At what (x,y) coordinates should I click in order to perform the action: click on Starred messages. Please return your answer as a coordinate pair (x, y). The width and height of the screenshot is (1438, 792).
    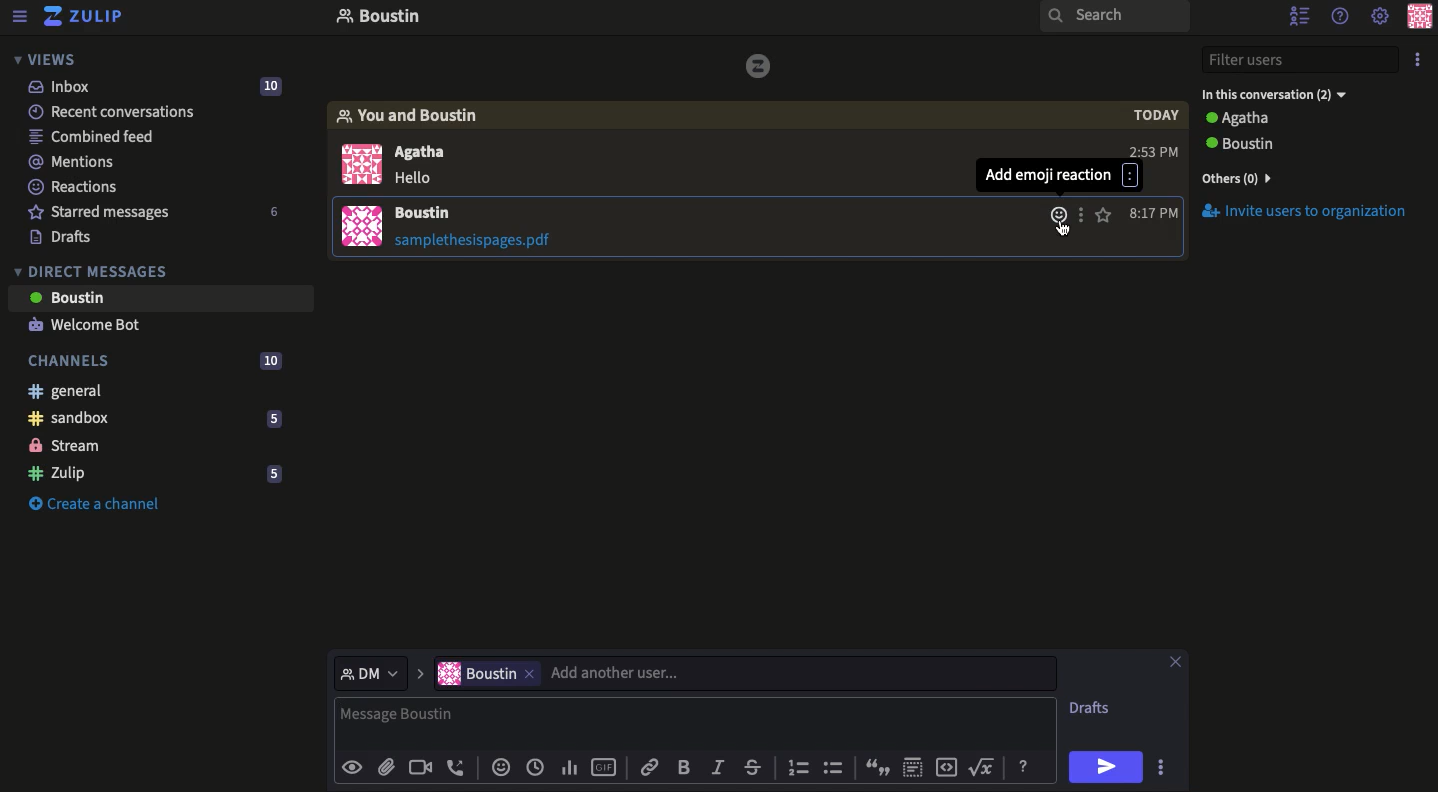
    Looking at the image, I should click on (155, 213).